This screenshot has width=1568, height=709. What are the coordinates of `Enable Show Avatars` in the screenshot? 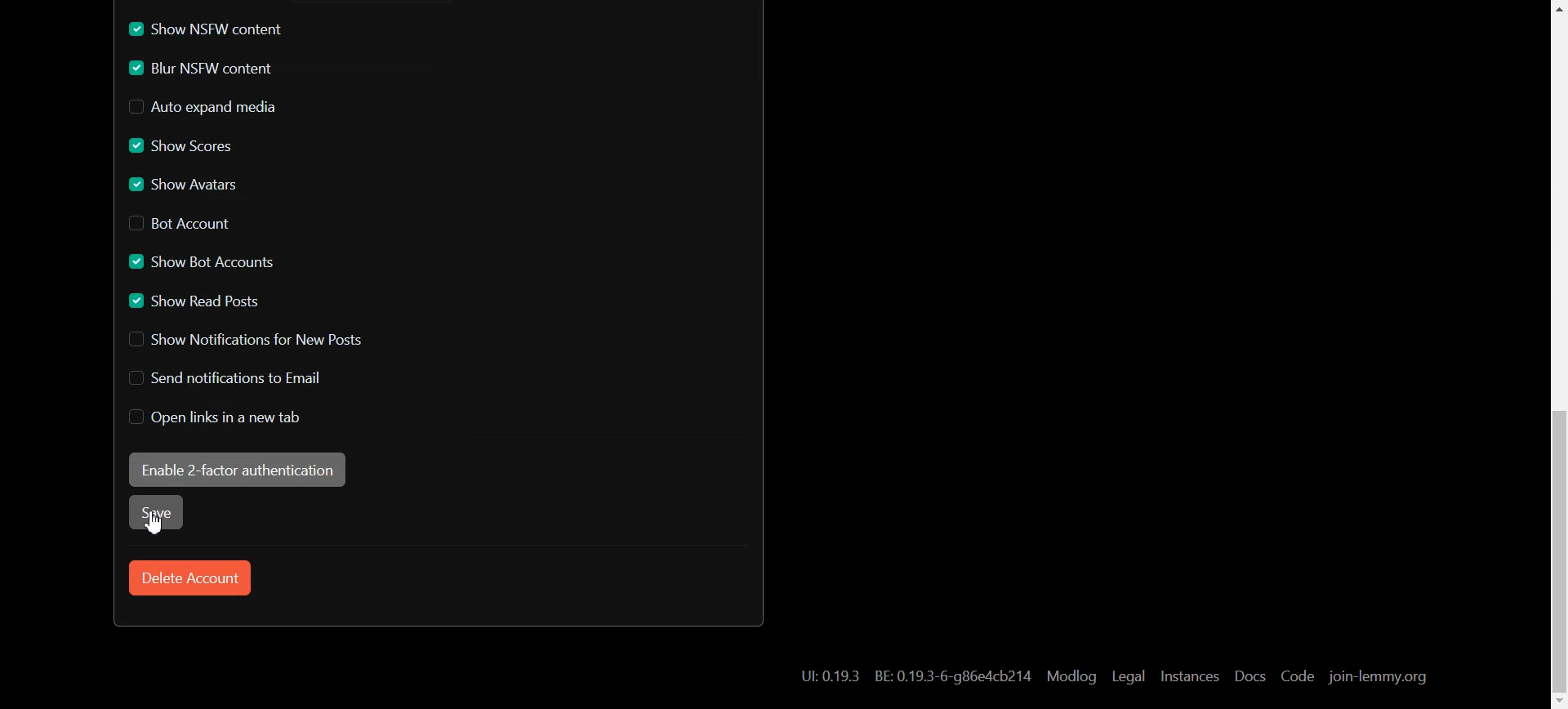 It's located at (183, 184).